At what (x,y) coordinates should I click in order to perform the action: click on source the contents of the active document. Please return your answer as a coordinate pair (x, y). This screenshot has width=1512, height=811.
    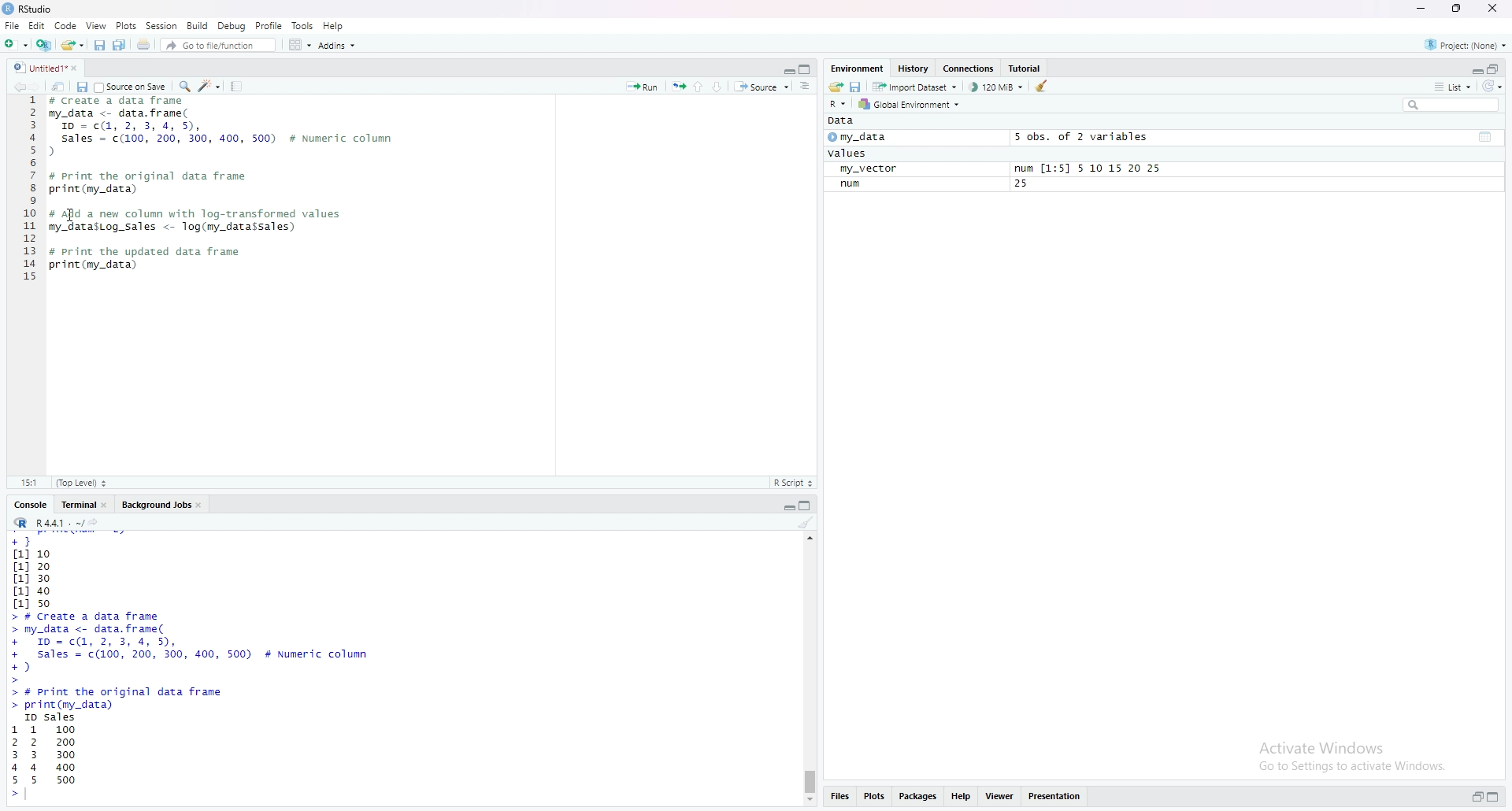
    Looking at the image, I should click on (763, 87).